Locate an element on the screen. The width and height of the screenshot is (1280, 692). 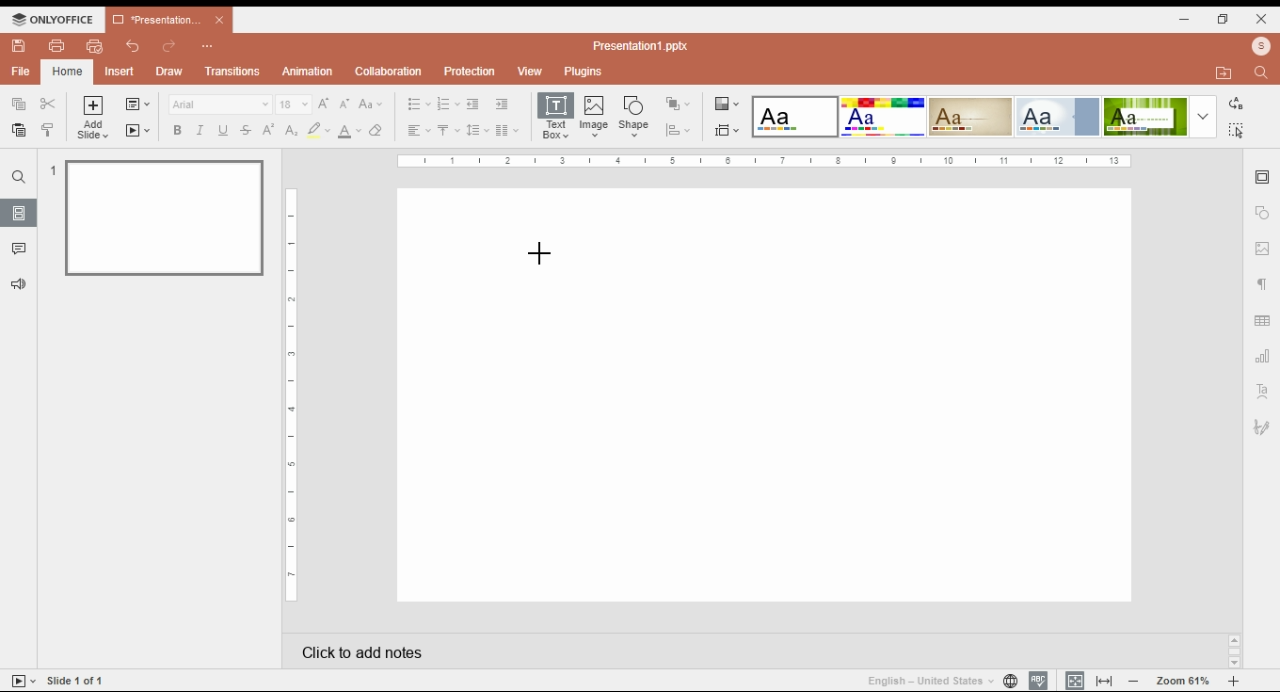
copy is located at coordinates (20, 104).